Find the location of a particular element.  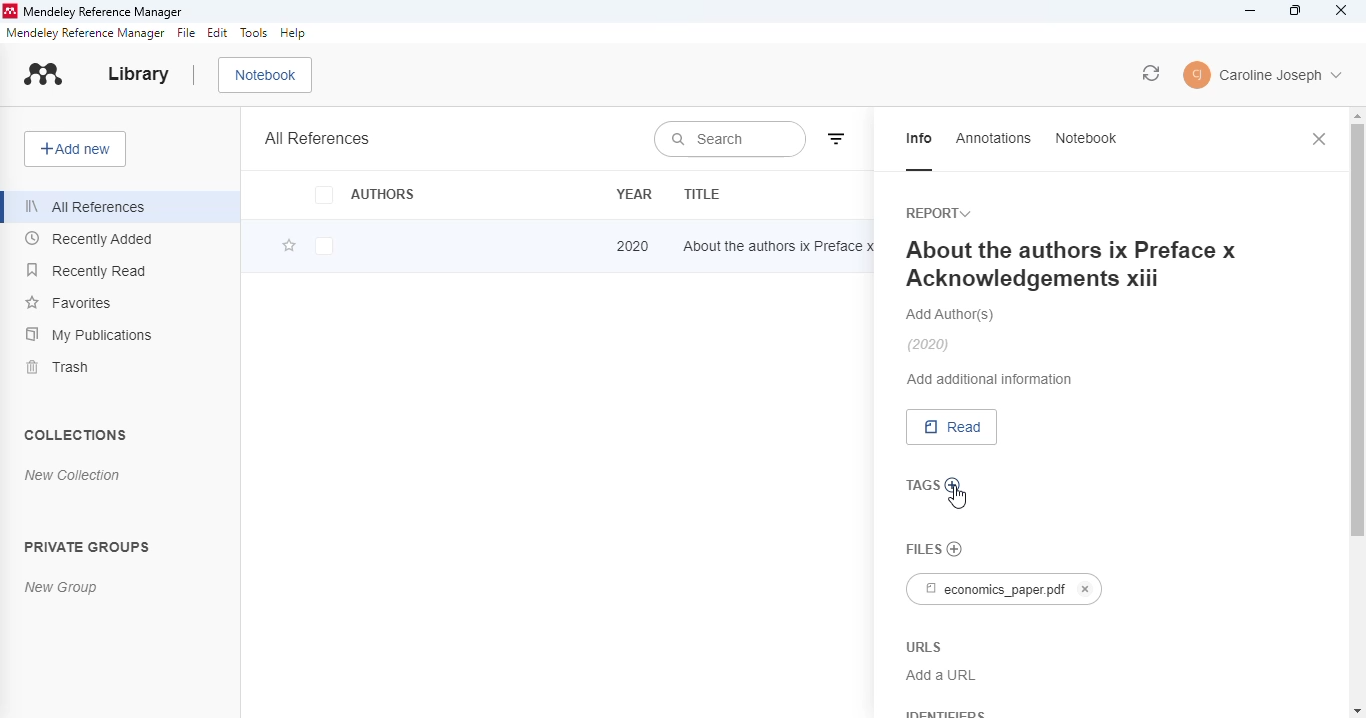

search is located at coordinates (731, 141).